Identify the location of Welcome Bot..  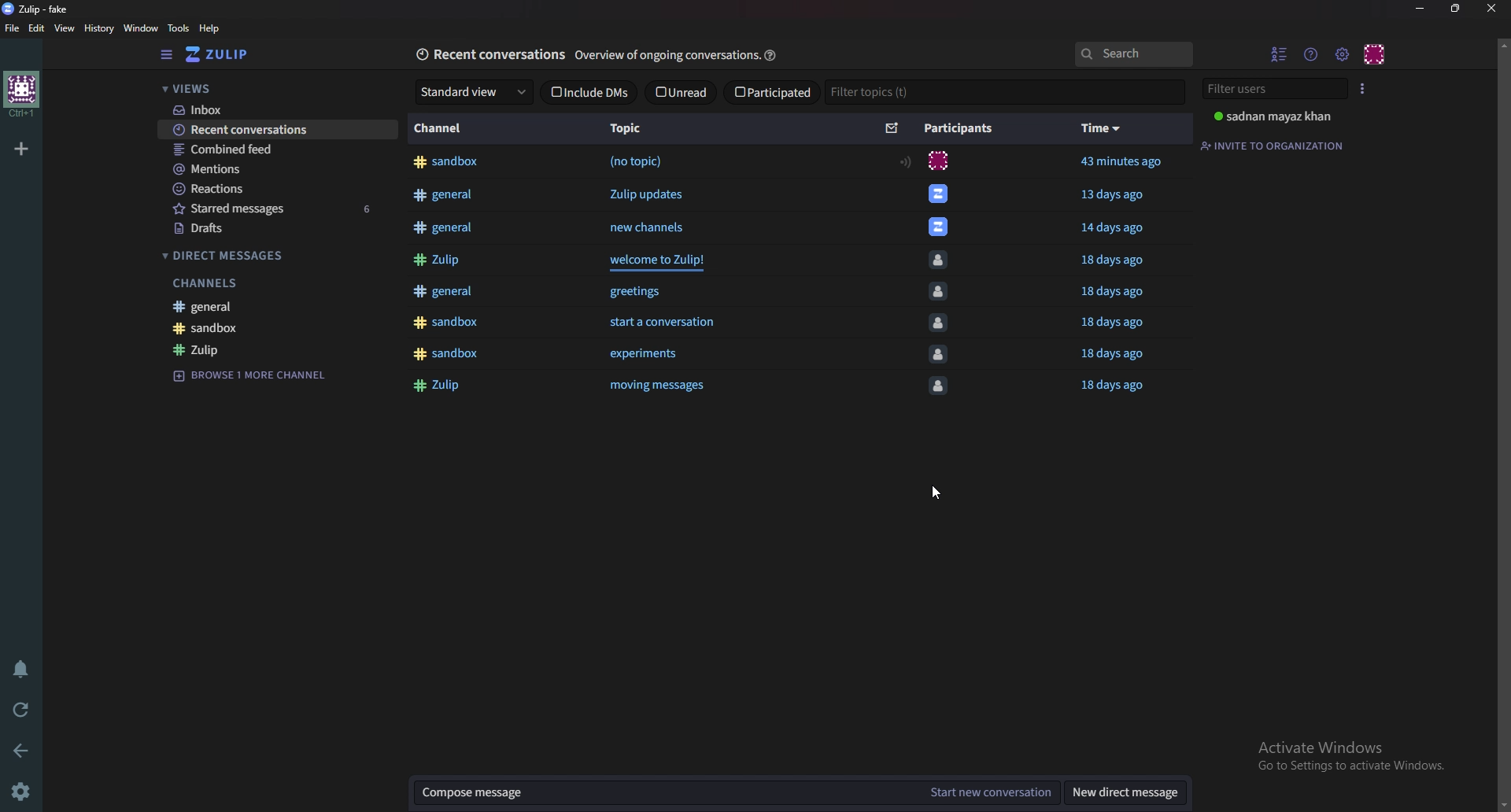
(938, 227).